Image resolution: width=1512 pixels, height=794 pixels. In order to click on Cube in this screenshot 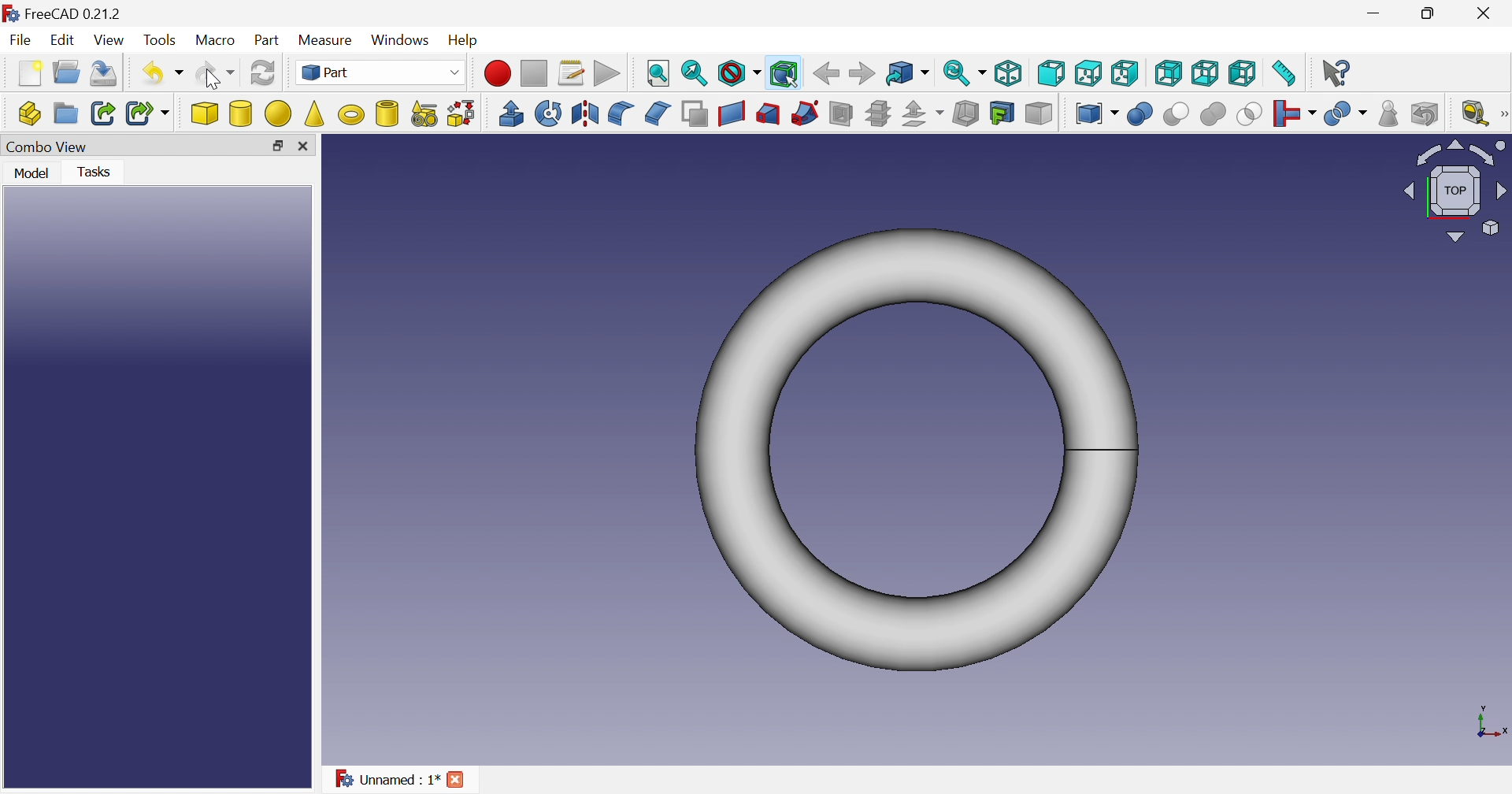, I will do `click(202, 114)`.